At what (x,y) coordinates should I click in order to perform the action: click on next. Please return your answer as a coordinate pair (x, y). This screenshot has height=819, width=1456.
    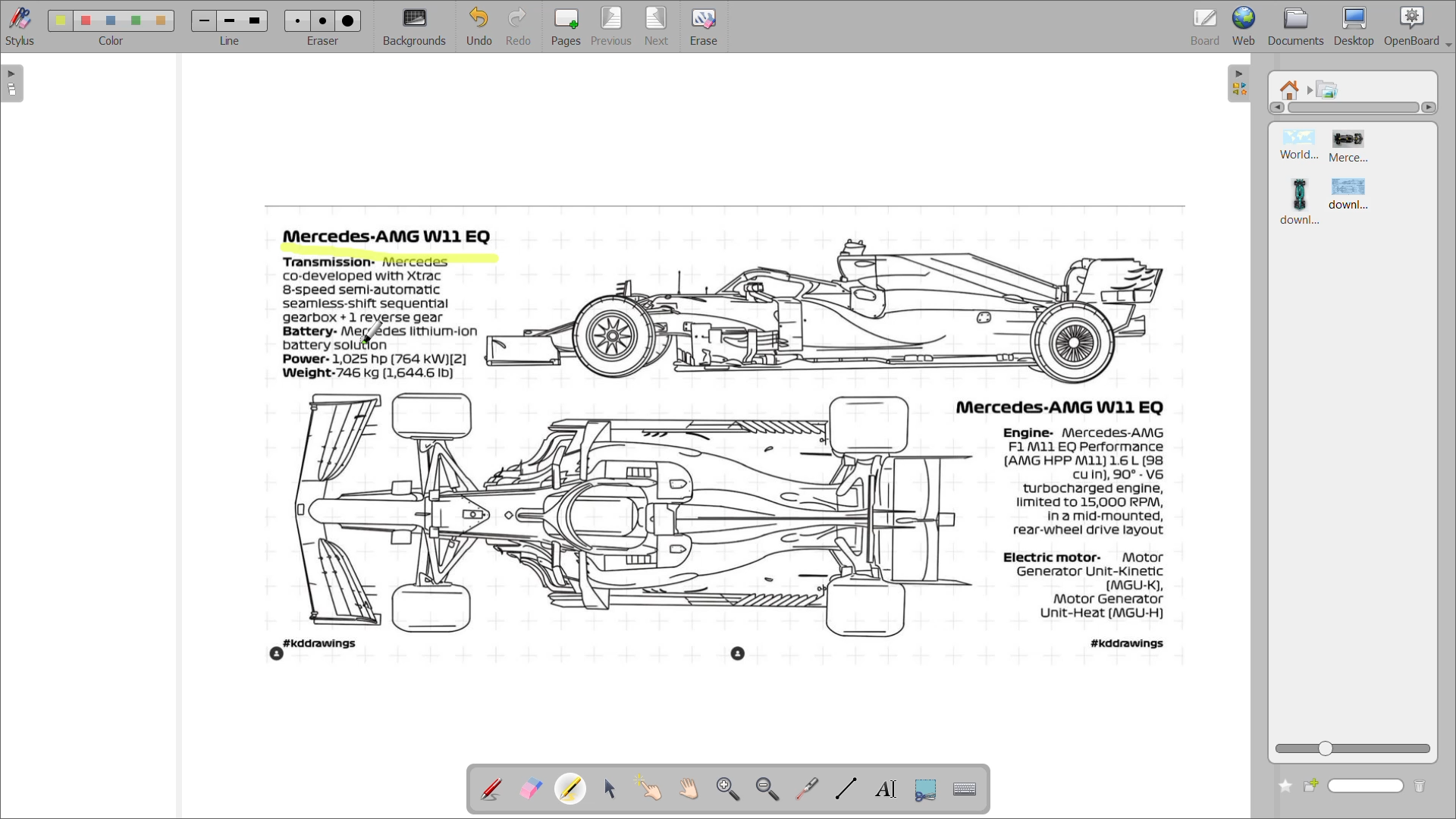
    Looking at the image, I should click on (658, 25).